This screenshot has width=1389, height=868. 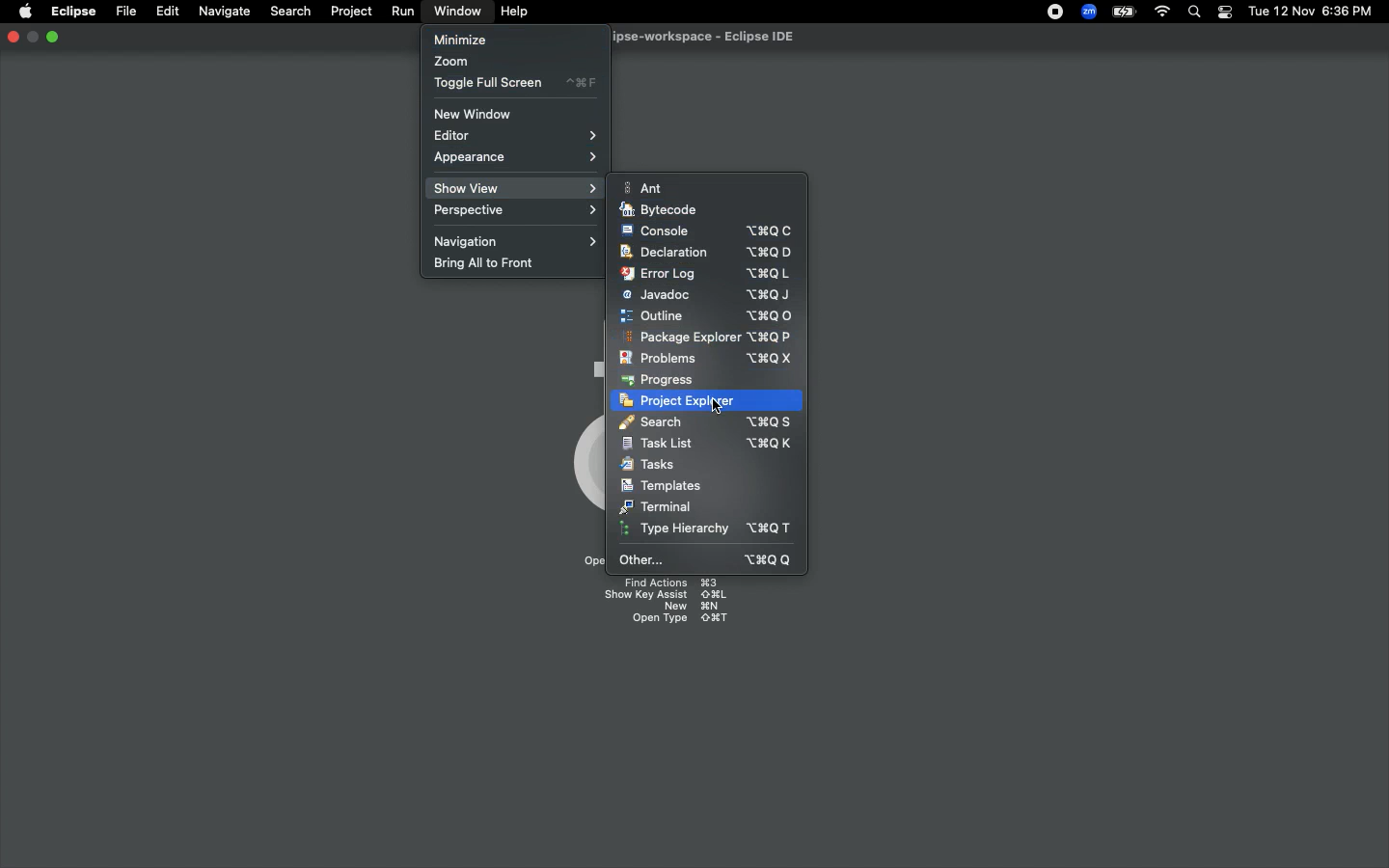 What do you see at coordinates (520, 136) in the screenshot?
I see `Editor` at bounding box center [520, 136].